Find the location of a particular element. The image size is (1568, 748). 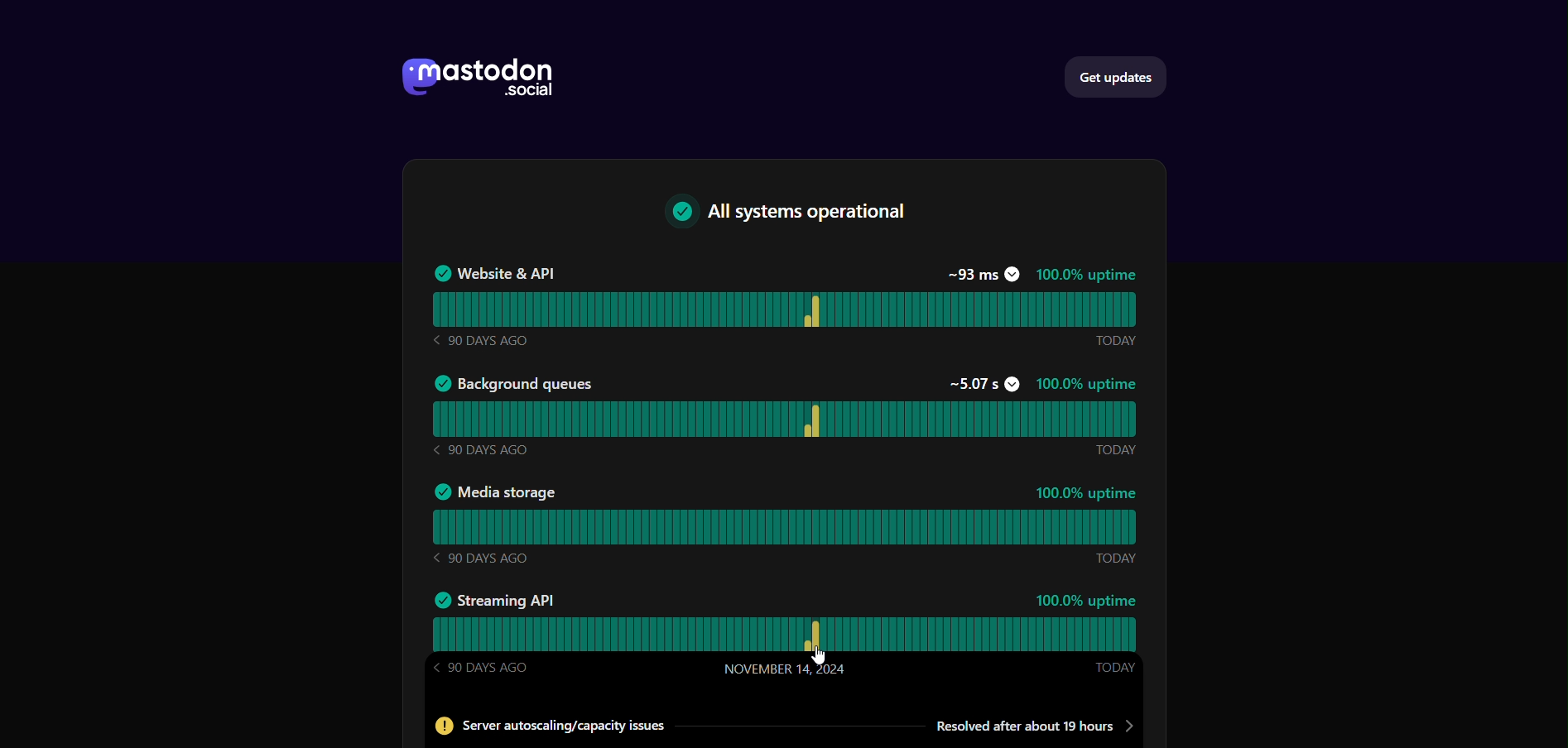

issues in streaming API is located at coordinates (778, 726).